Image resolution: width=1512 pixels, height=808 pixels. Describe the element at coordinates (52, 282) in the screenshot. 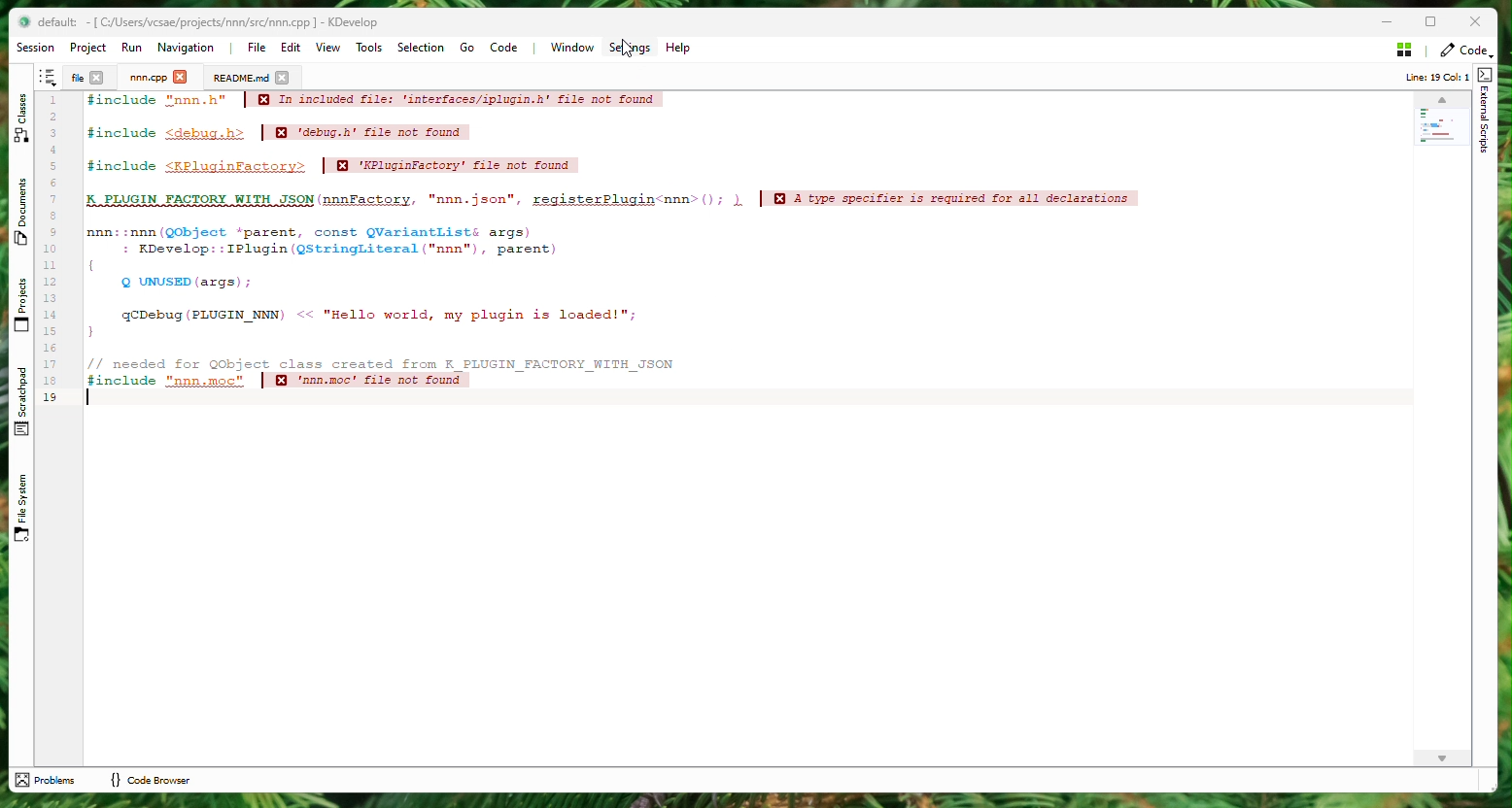

I see `12` at that location.